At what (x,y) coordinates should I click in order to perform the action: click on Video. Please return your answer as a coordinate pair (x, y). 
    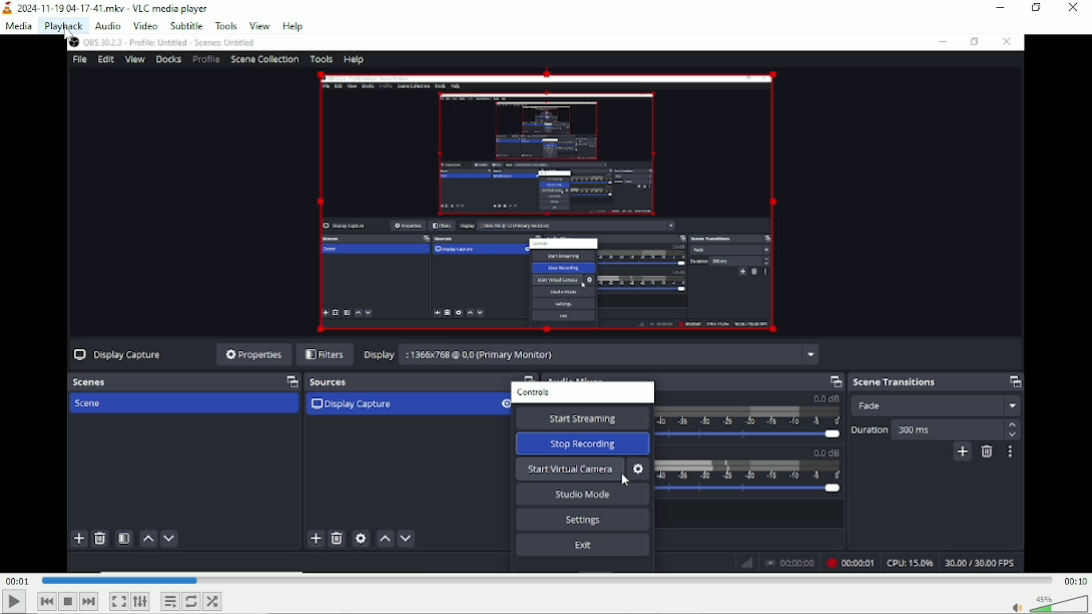
    Looking at the image, I should click on (545, 304).